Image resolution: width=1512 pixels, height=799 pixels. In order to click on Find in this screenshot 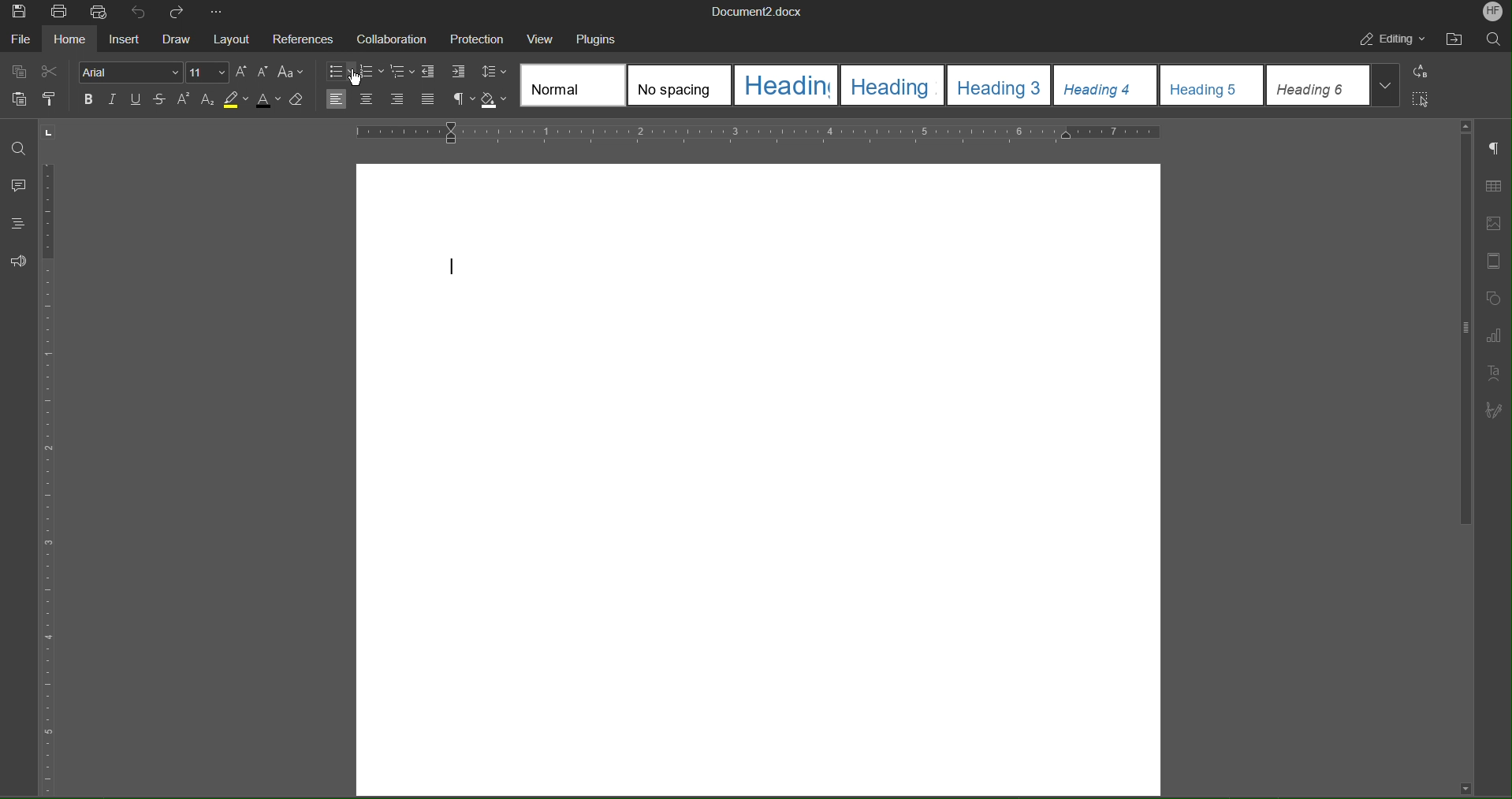, I will do `click(20, 147)`.